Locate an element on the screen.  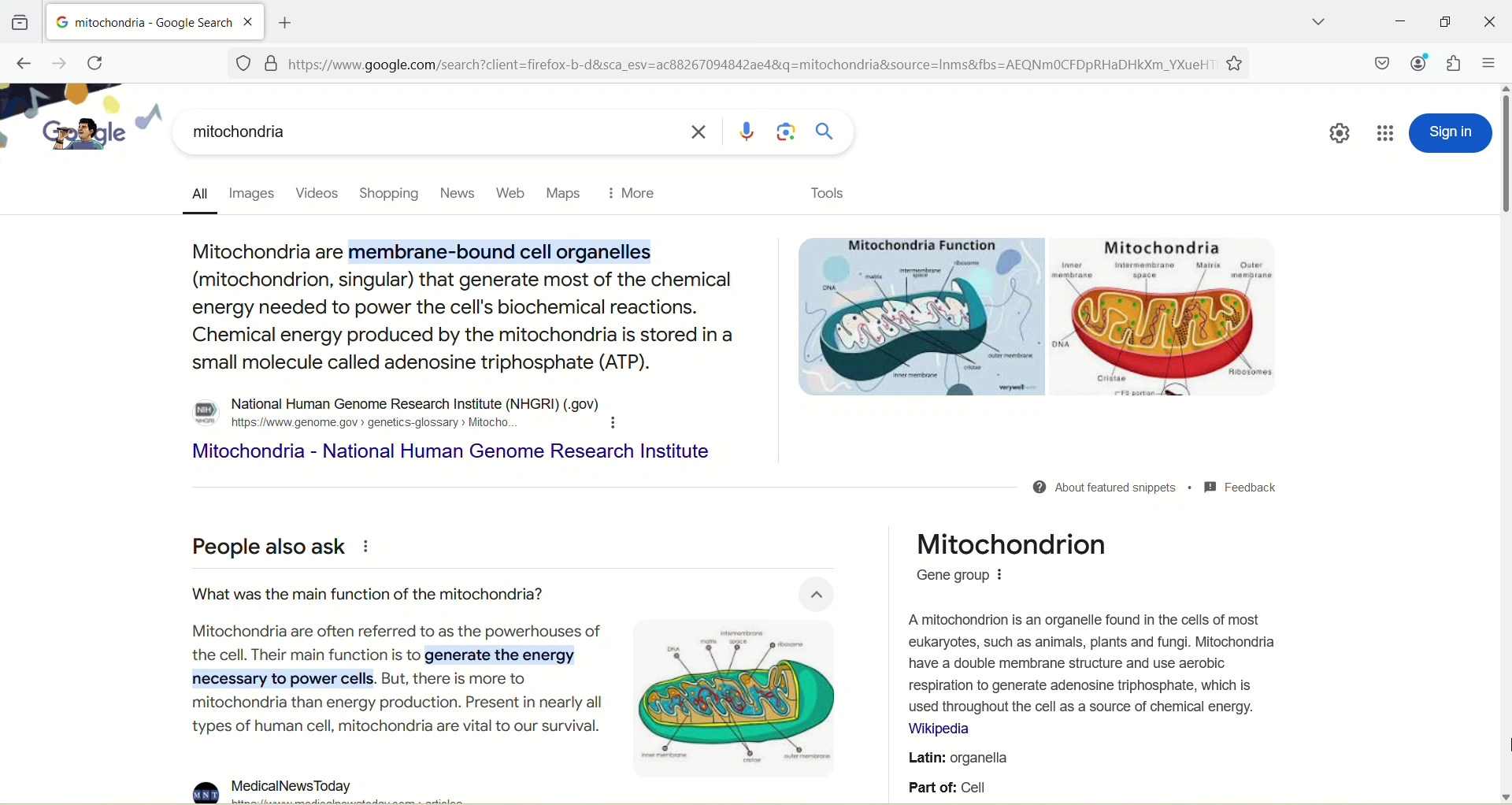
vertical scroll bar is located at coordinates (1505, 154).